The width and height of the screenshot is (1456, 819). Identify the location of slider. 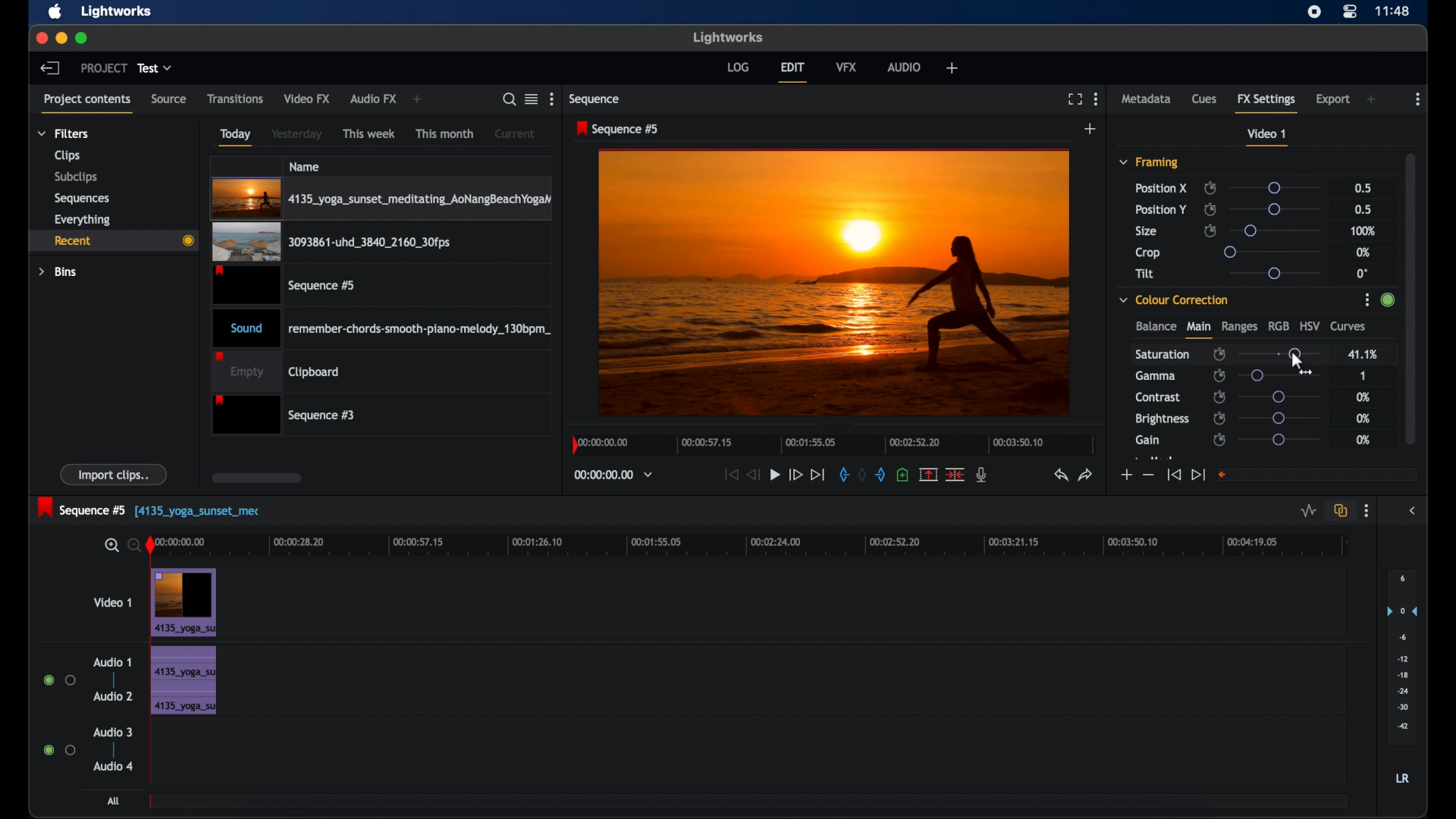
(1279, 418).